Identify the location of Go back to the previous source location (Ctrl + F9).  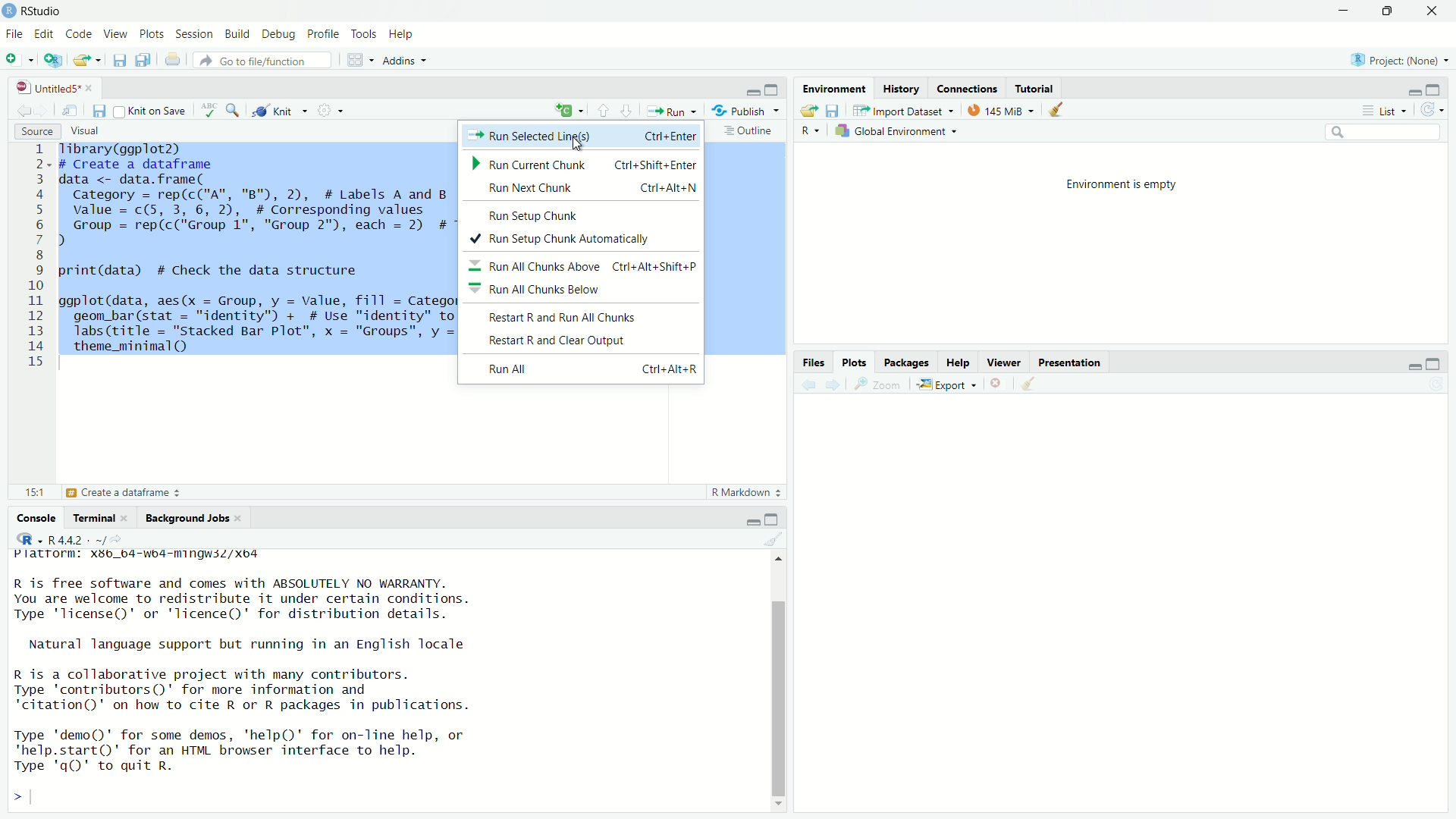
(19, 108).